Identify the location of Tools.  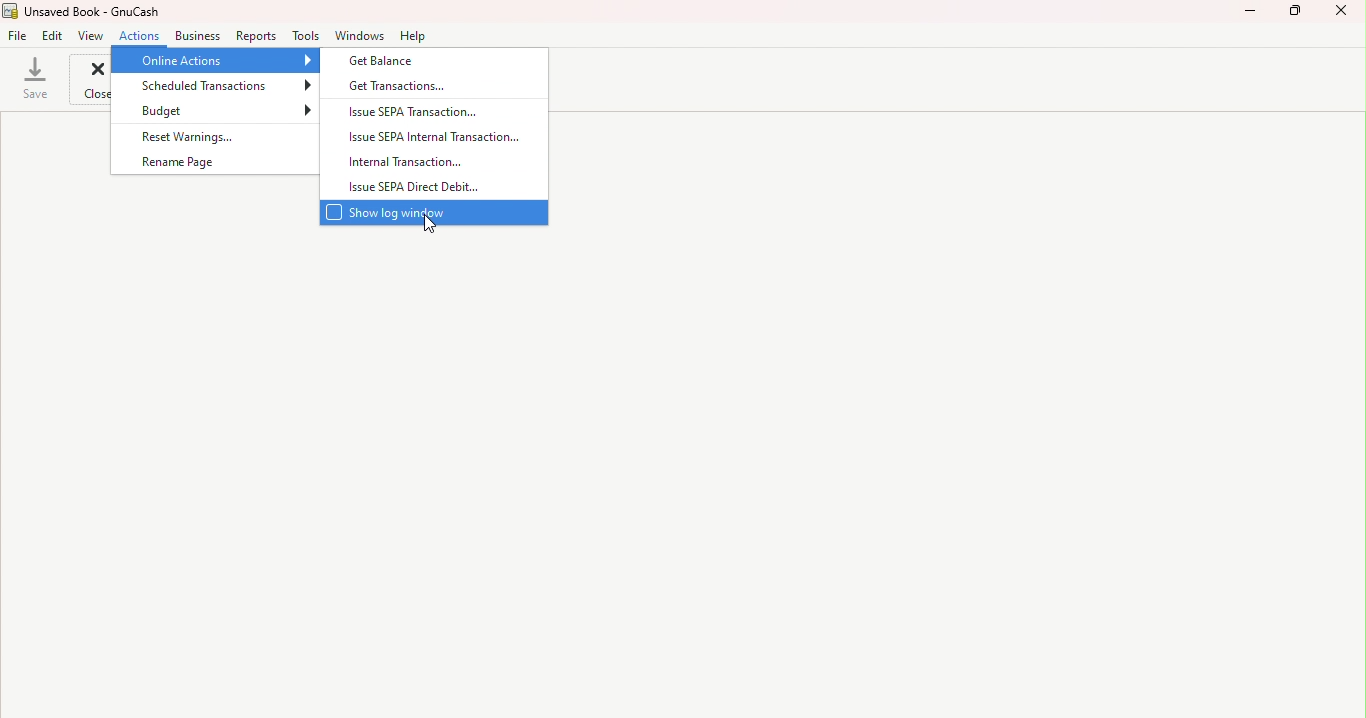
(303, 35).